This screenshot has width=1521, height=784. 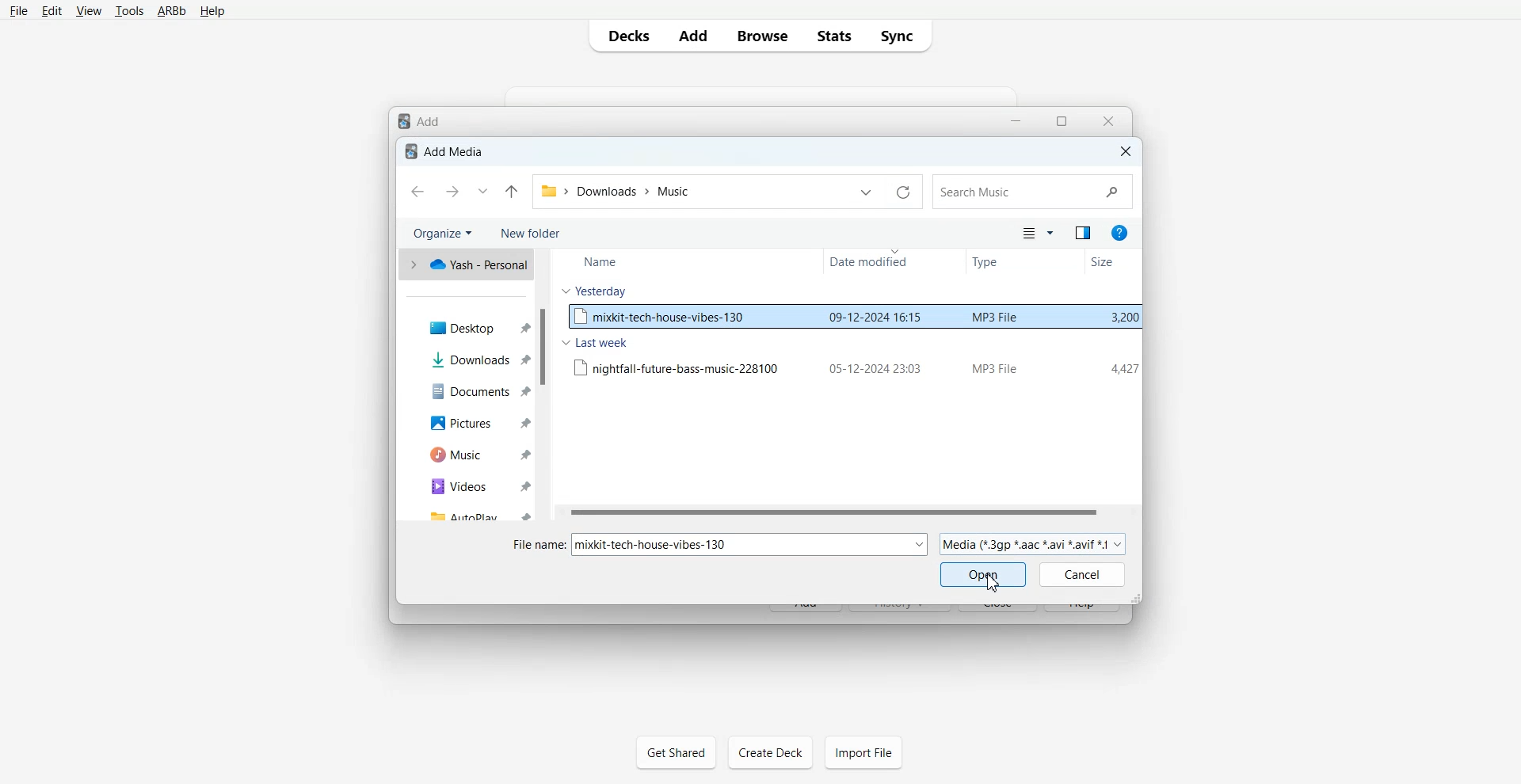 I want to click on Pictures, so click(x=477, y=422).